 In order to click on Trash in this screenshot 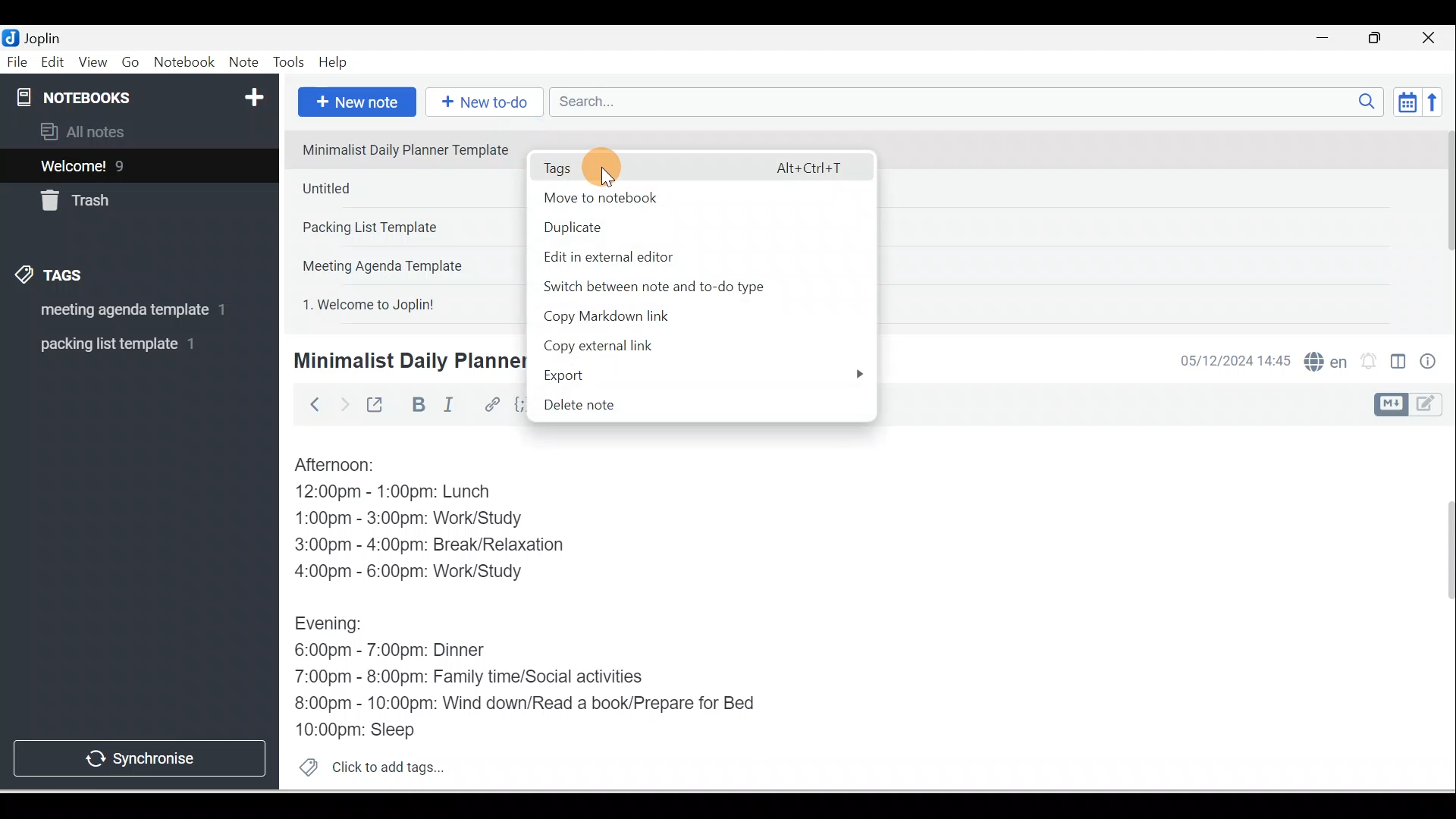, I will do `click(111, 196)`.